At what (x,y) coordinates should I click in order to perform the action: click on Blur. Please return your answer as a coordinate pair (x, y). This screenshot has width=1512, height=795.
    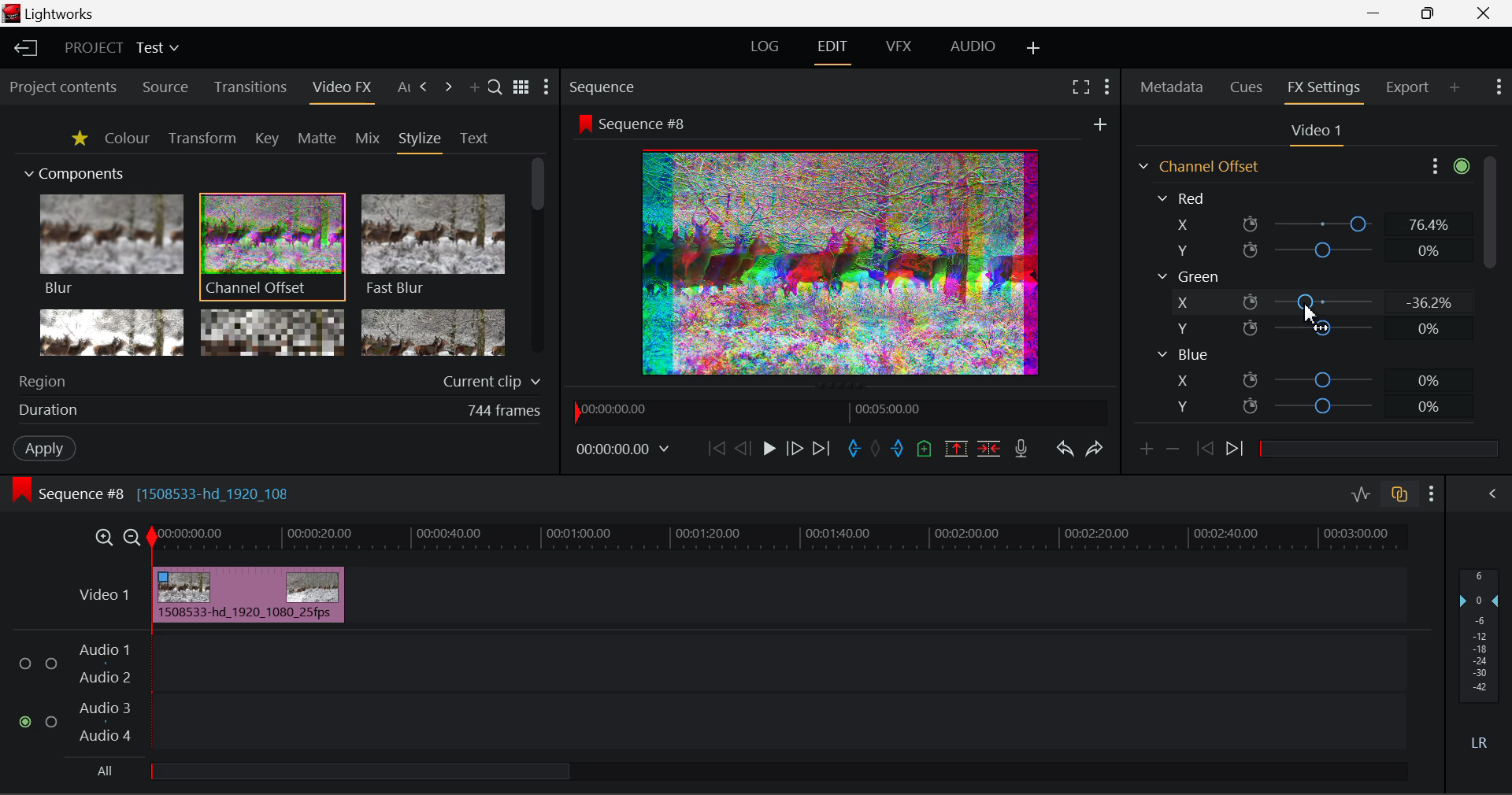
    Looking at the image, I should click on (110, 246).